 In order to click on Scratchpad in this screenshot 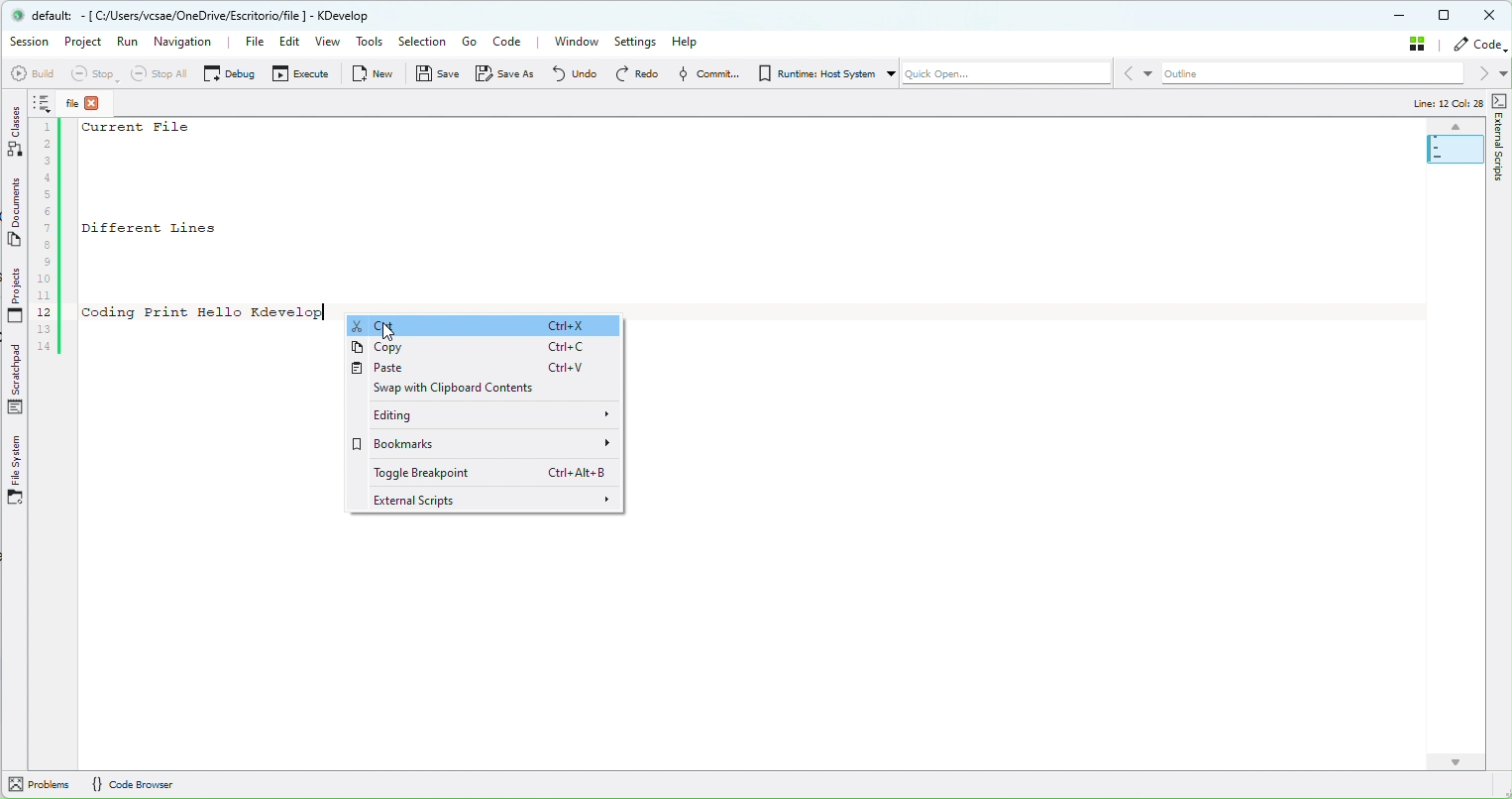, I will do `click(17, 379)`.